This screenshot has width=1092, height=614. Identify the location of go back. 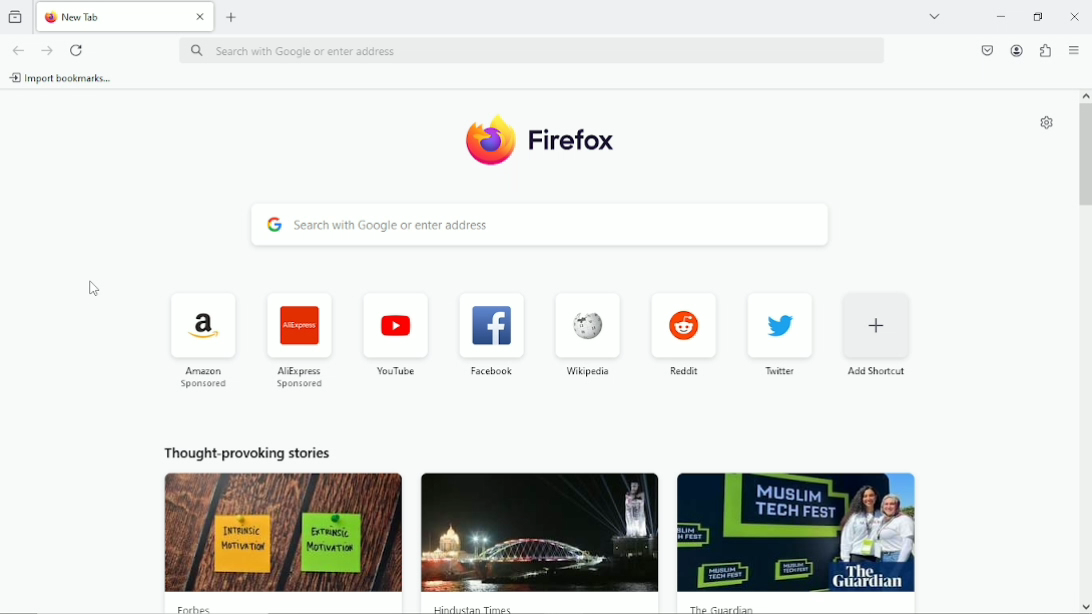
(18, 50).